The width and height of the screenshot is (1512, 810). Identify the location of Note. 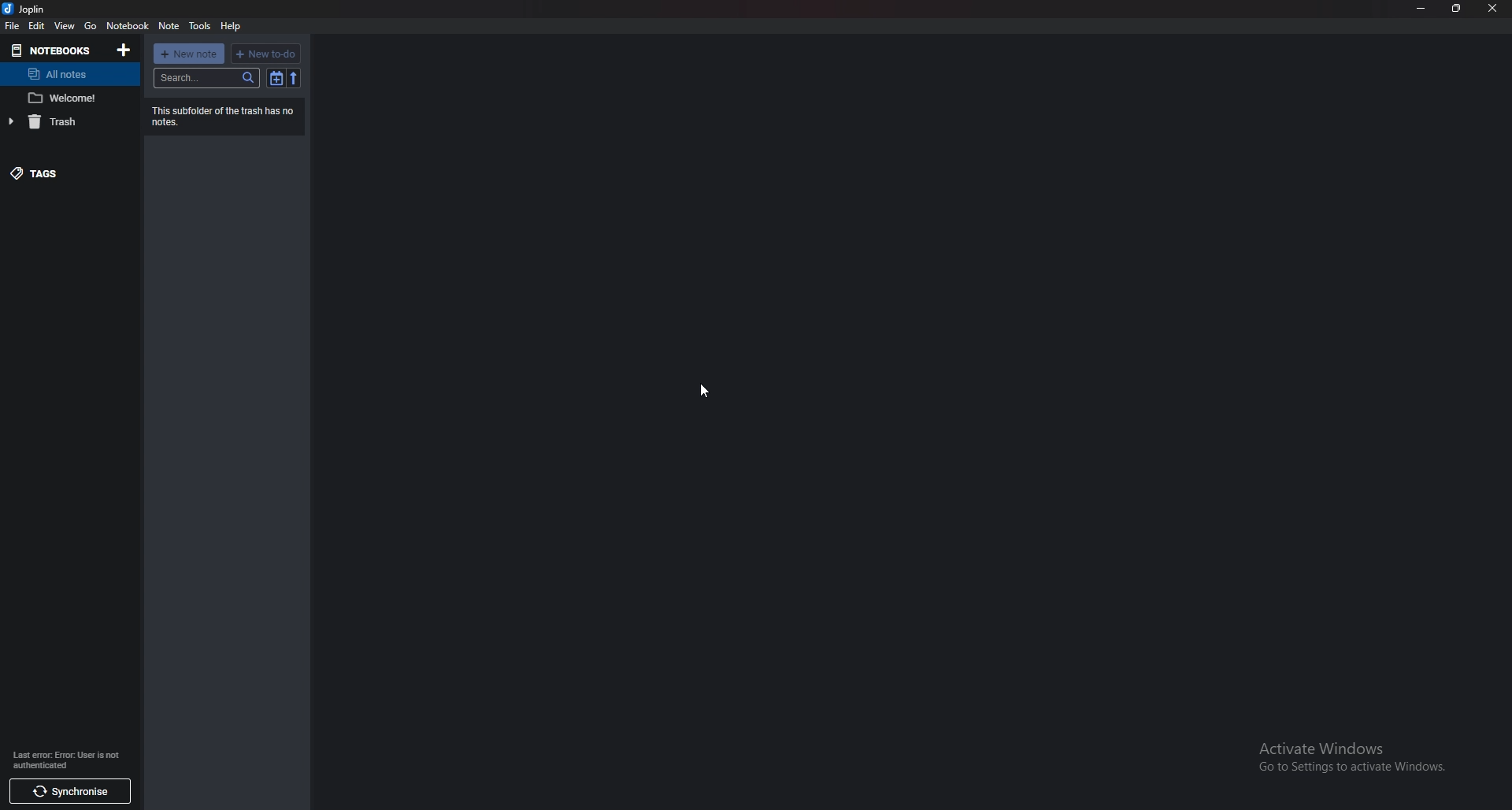
(170, 26).